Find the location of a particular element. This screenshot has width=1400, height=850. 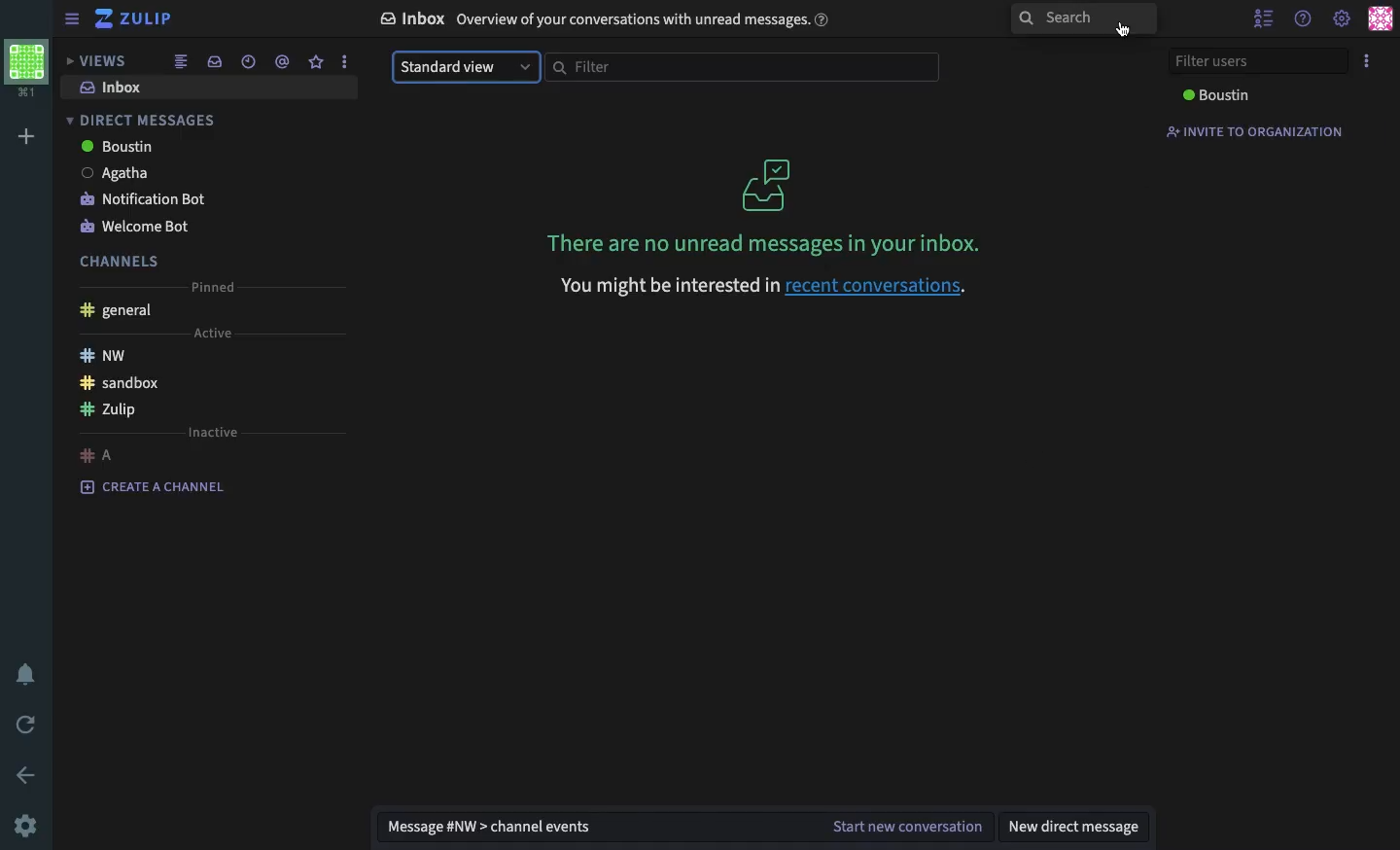

start new conversation is located at coordinates (905, 827).